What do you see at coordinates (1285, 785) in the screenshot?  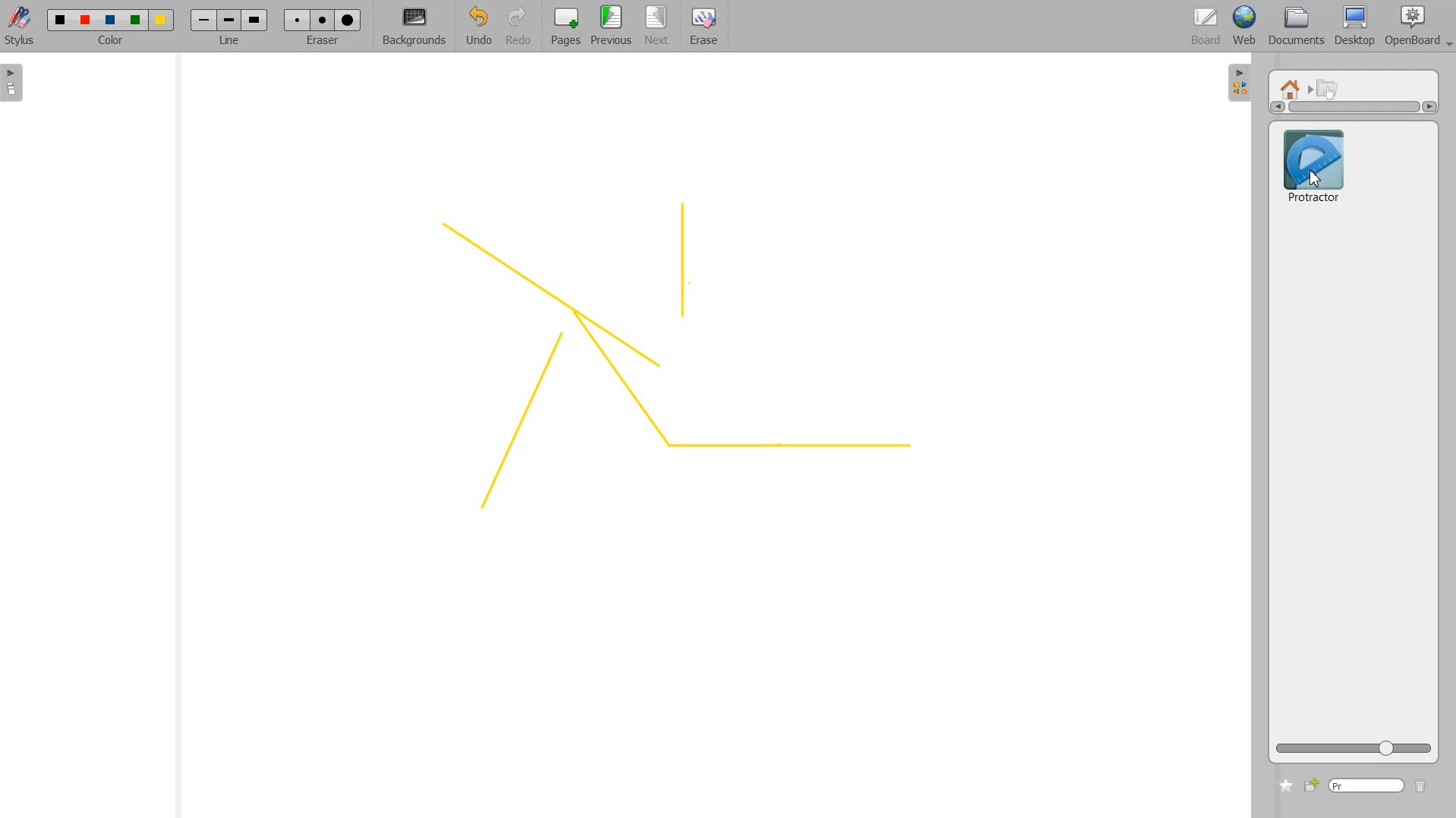 I see `Add to favorite` at bounding box center [1285, 785].